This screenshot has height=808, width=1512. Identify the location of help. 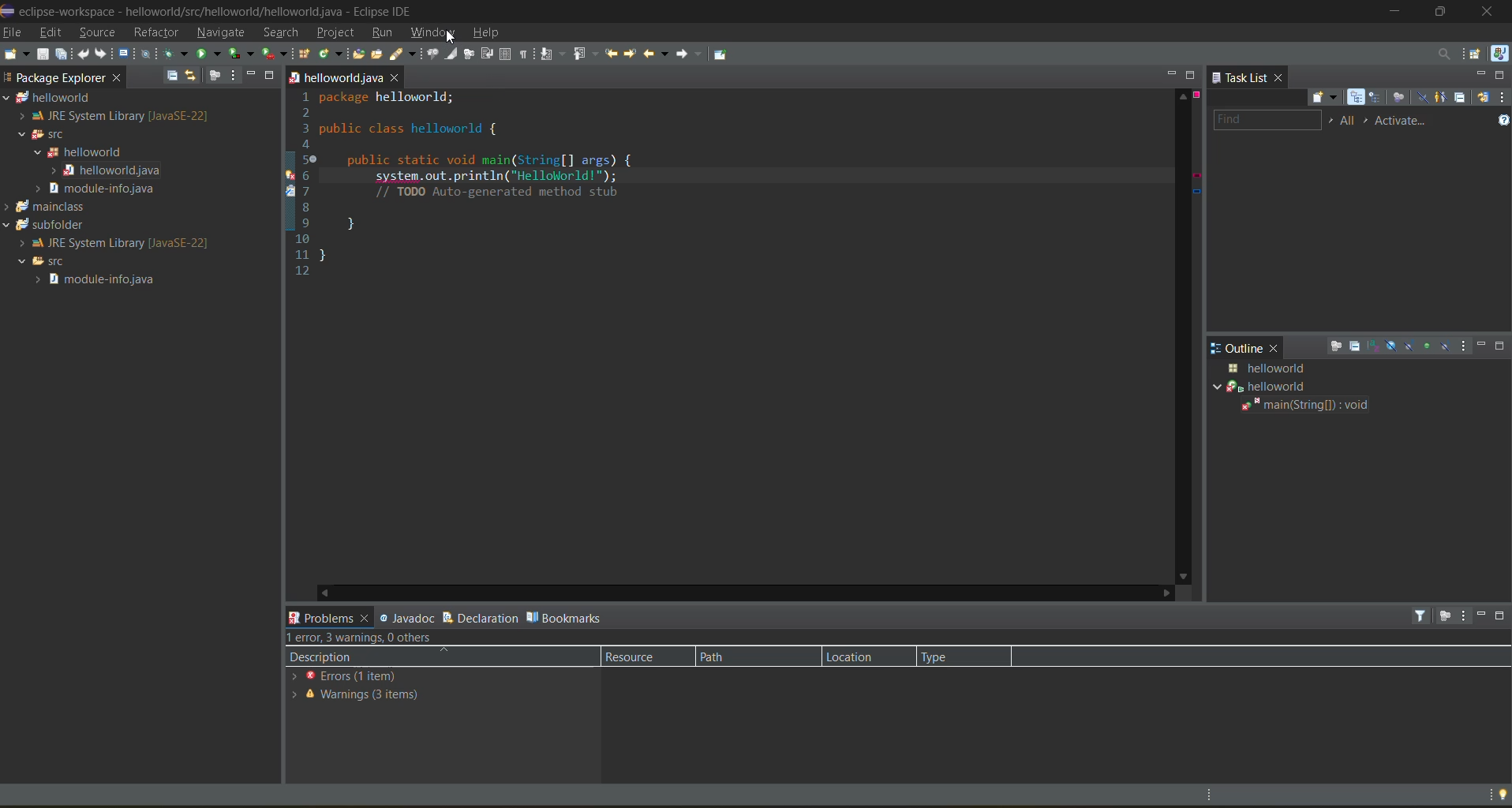
(492, 36).